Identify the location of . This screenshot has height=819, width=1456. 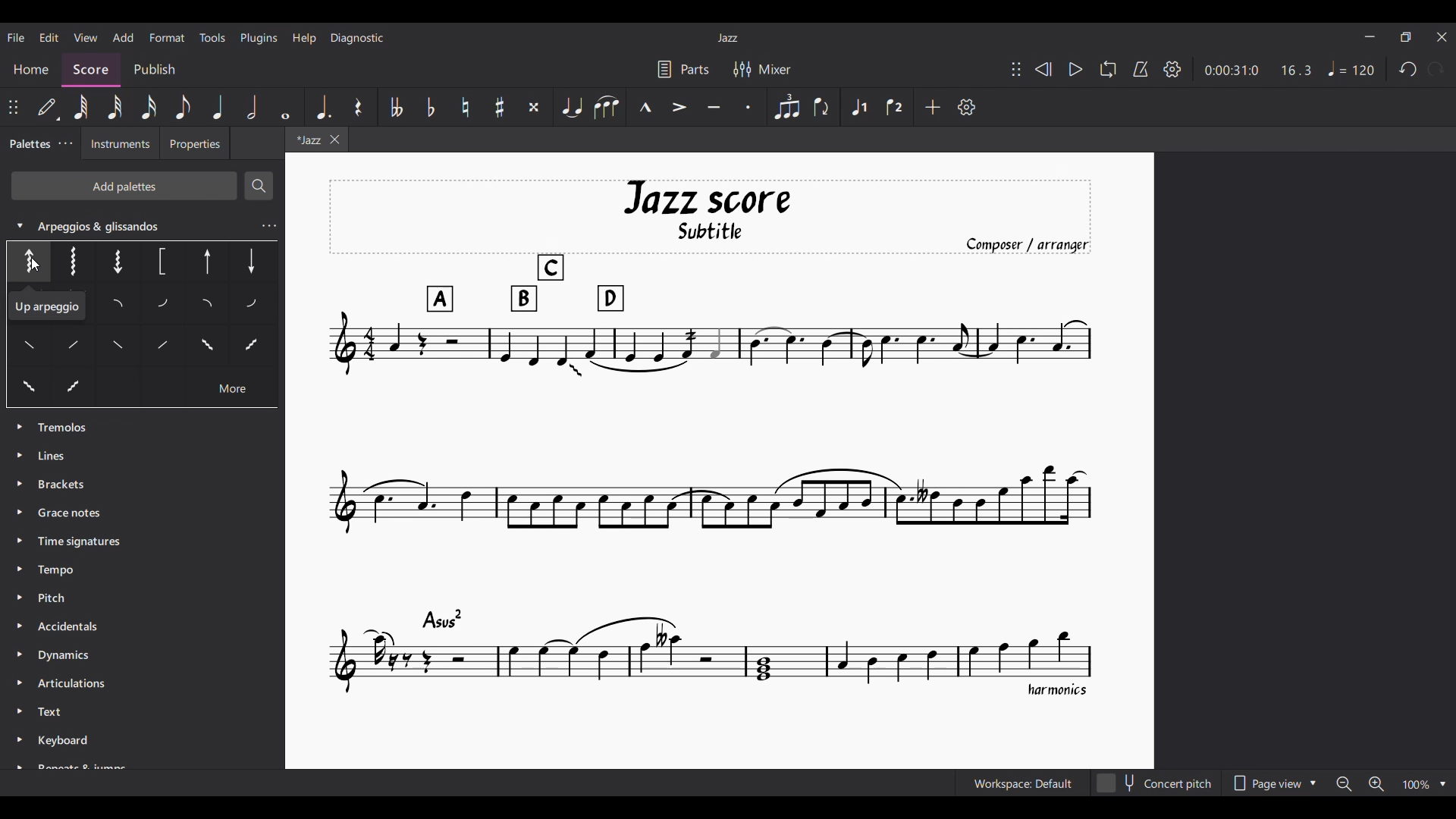
(42, 307).